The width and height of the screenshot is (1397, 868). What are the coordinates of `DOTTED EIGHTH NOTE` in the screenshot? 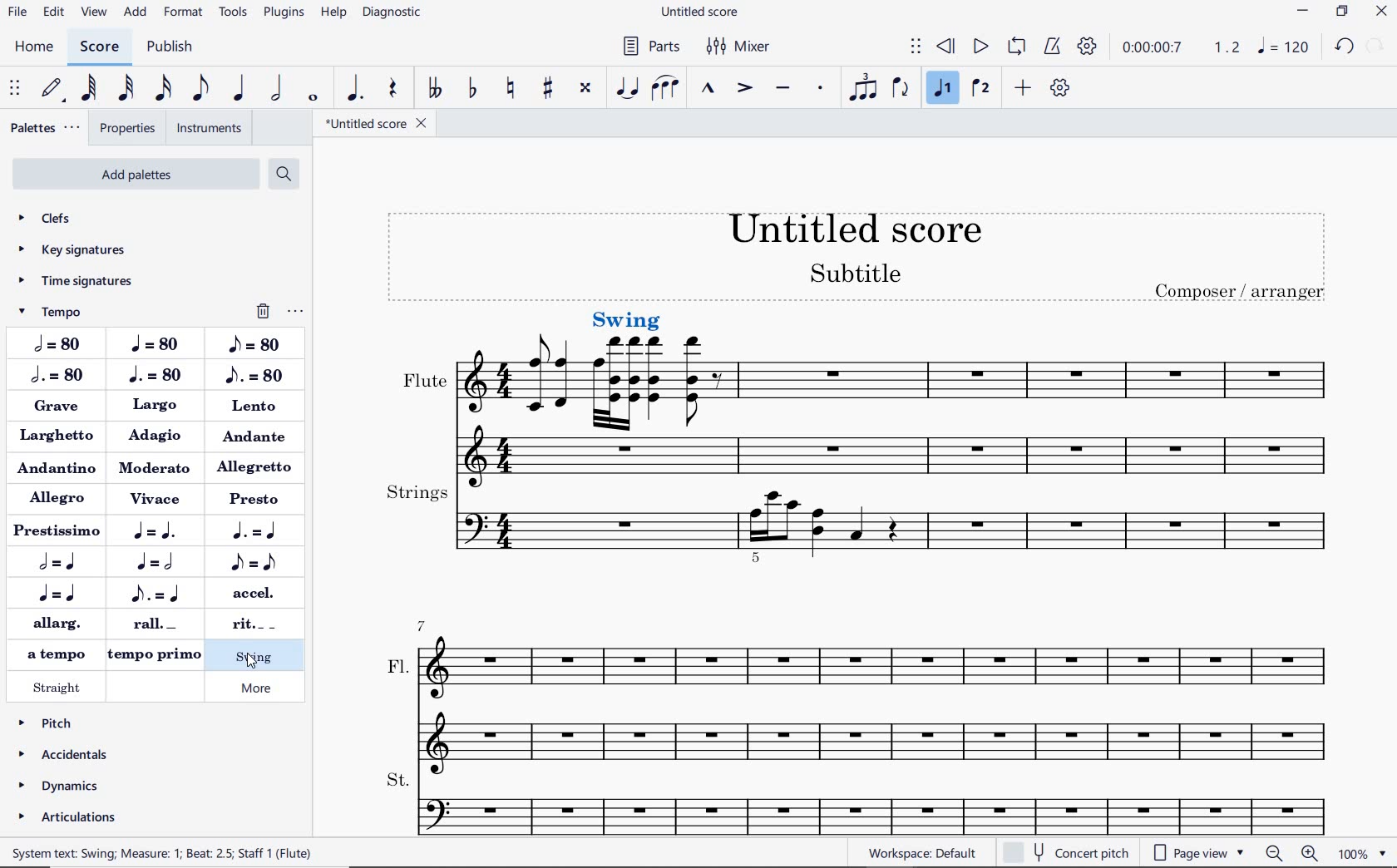 It's located at (254, 373).